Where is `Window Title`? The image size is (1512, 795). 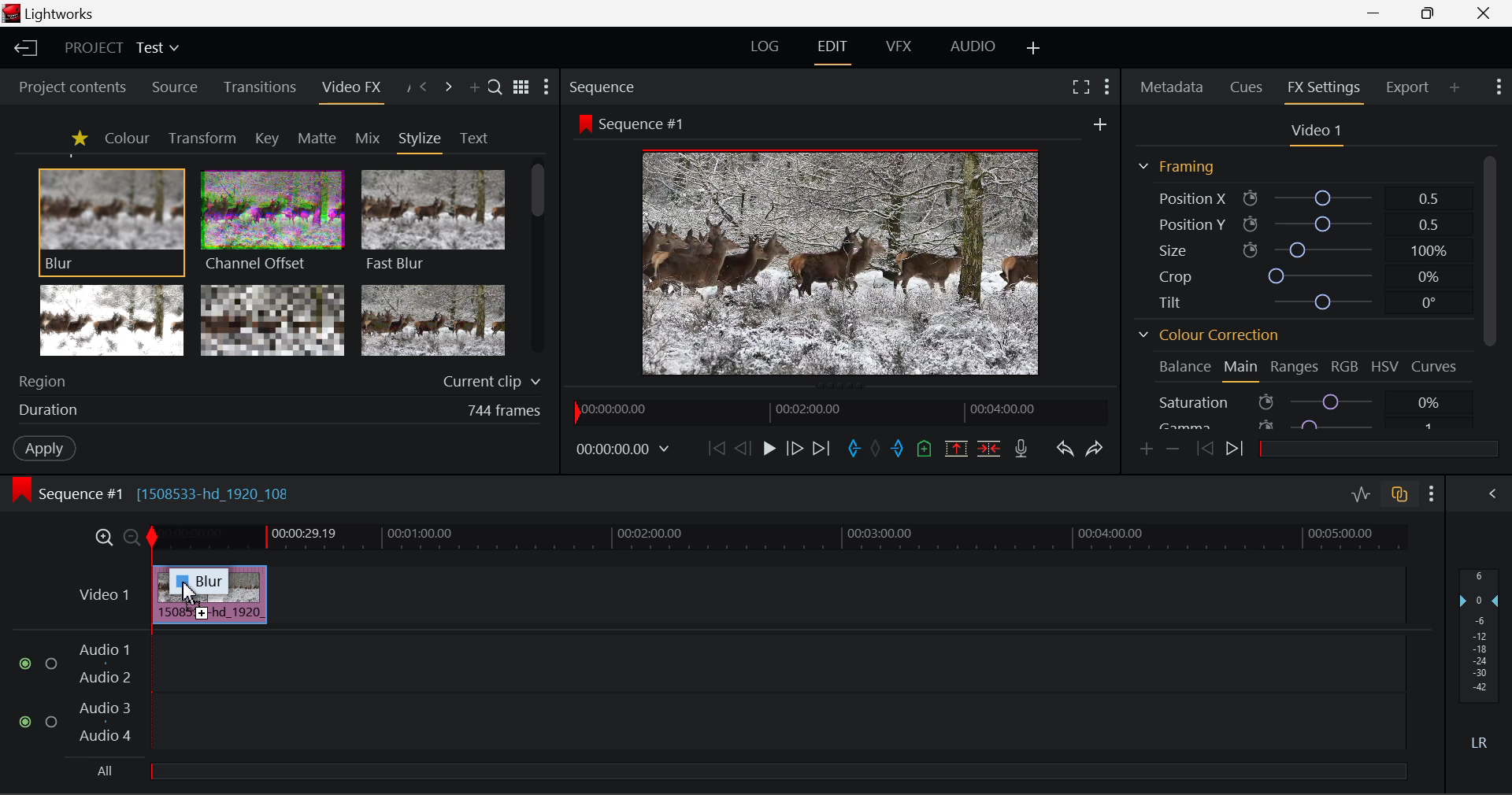
Window Title is located at coordinates (54, 14).